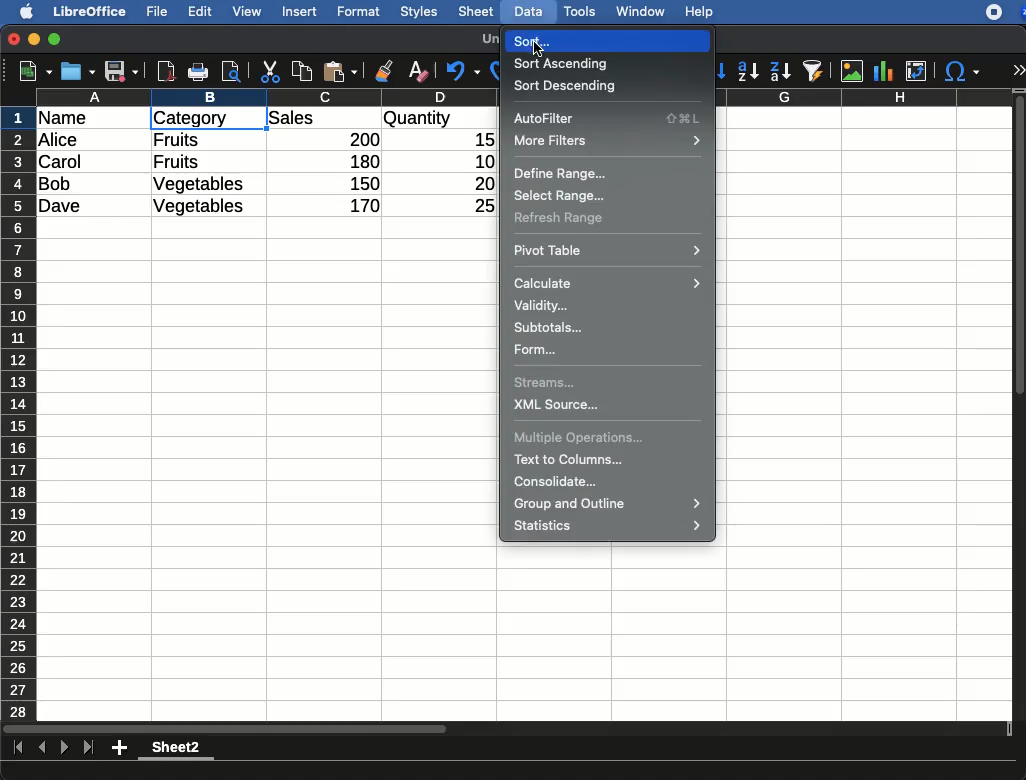  What do you see at coordinates (417, 72) in the screenshot?
I see `clear formatting` at bounding box center [417, 72].